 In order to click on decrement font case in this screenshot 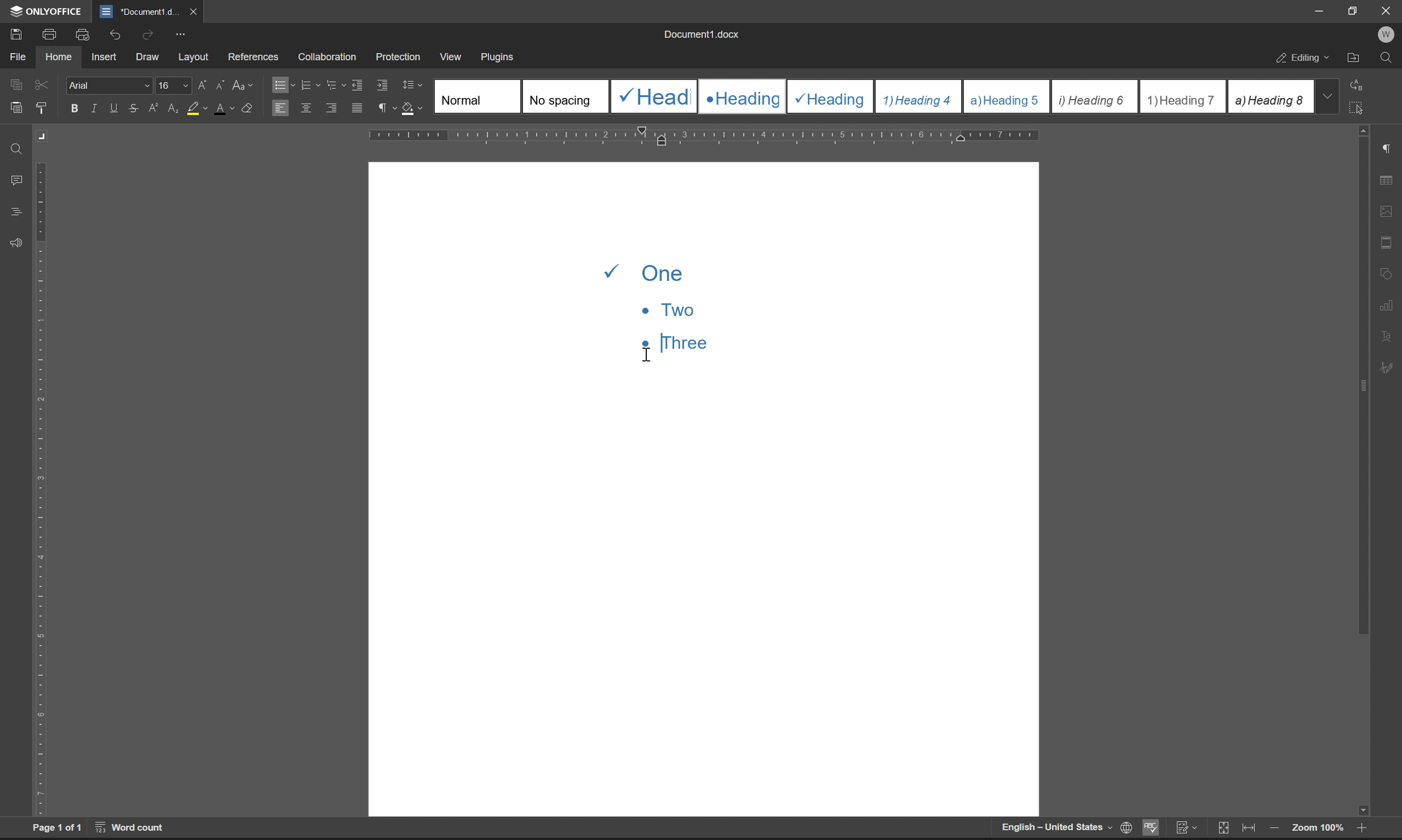, I will do `click(217, 83)`.